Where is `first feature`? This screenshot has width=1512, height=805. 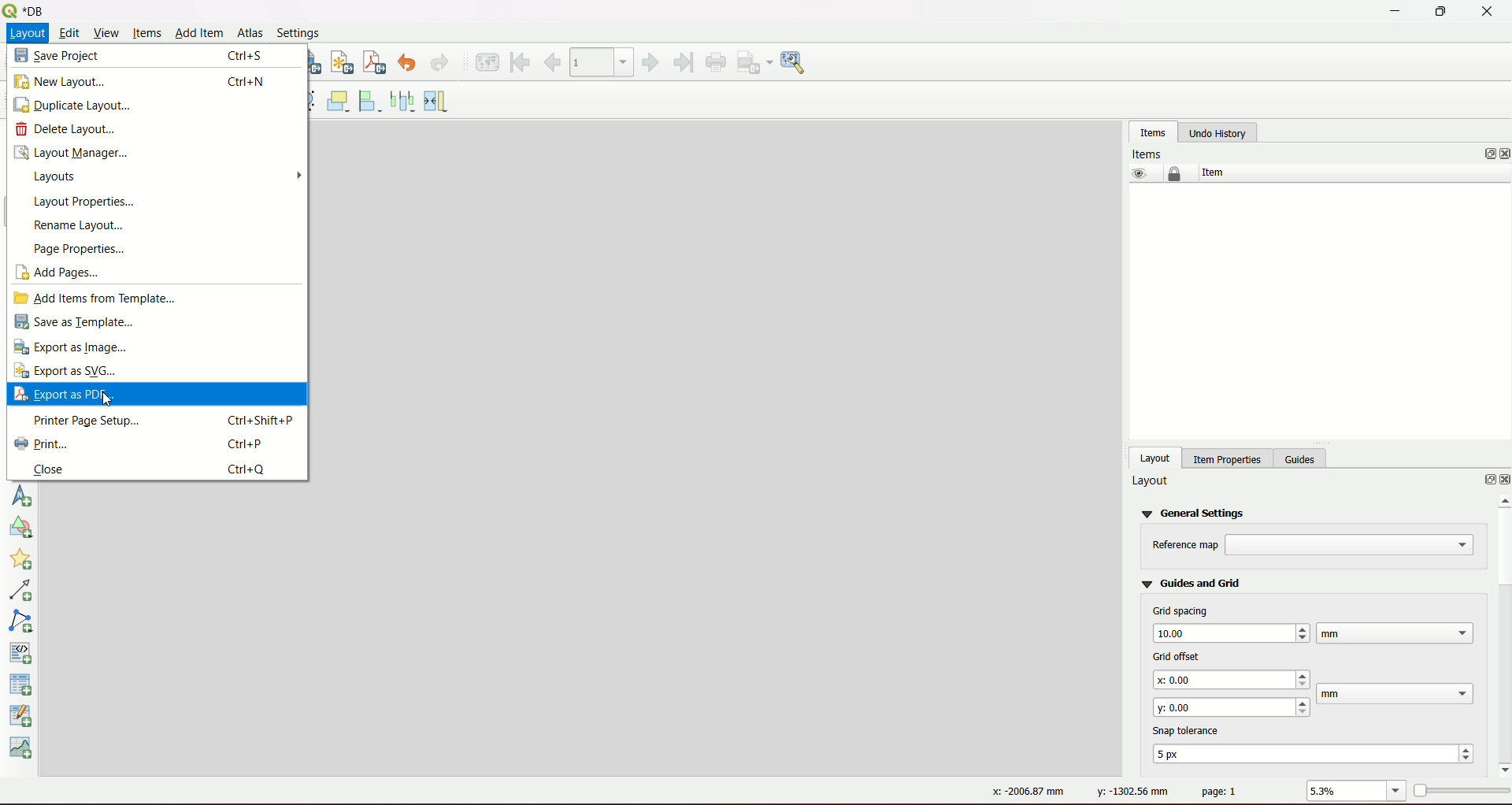
first feature is located at coordinates (521, 61).